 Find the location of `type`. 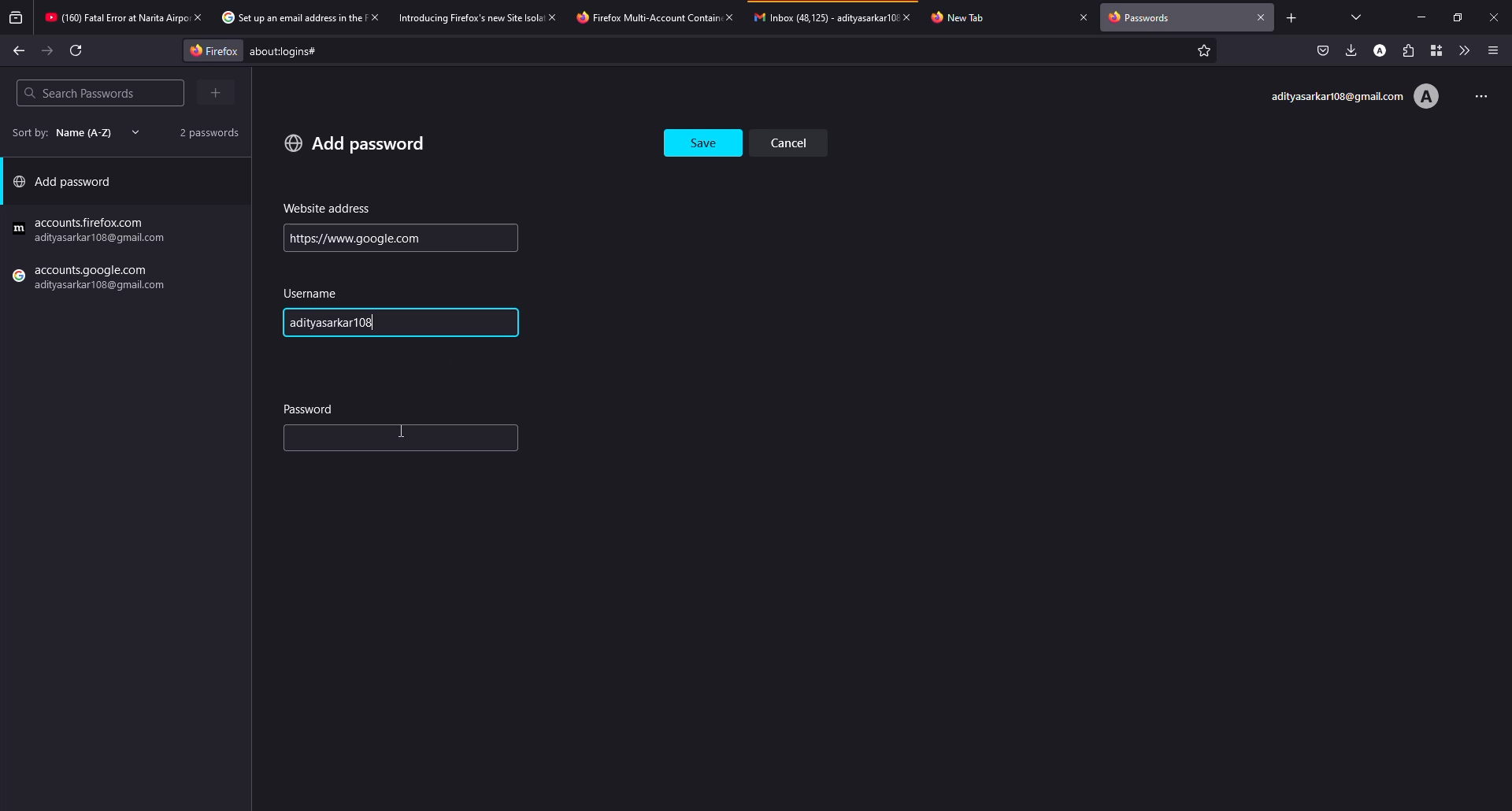

type is located at coordinates (364, 439).